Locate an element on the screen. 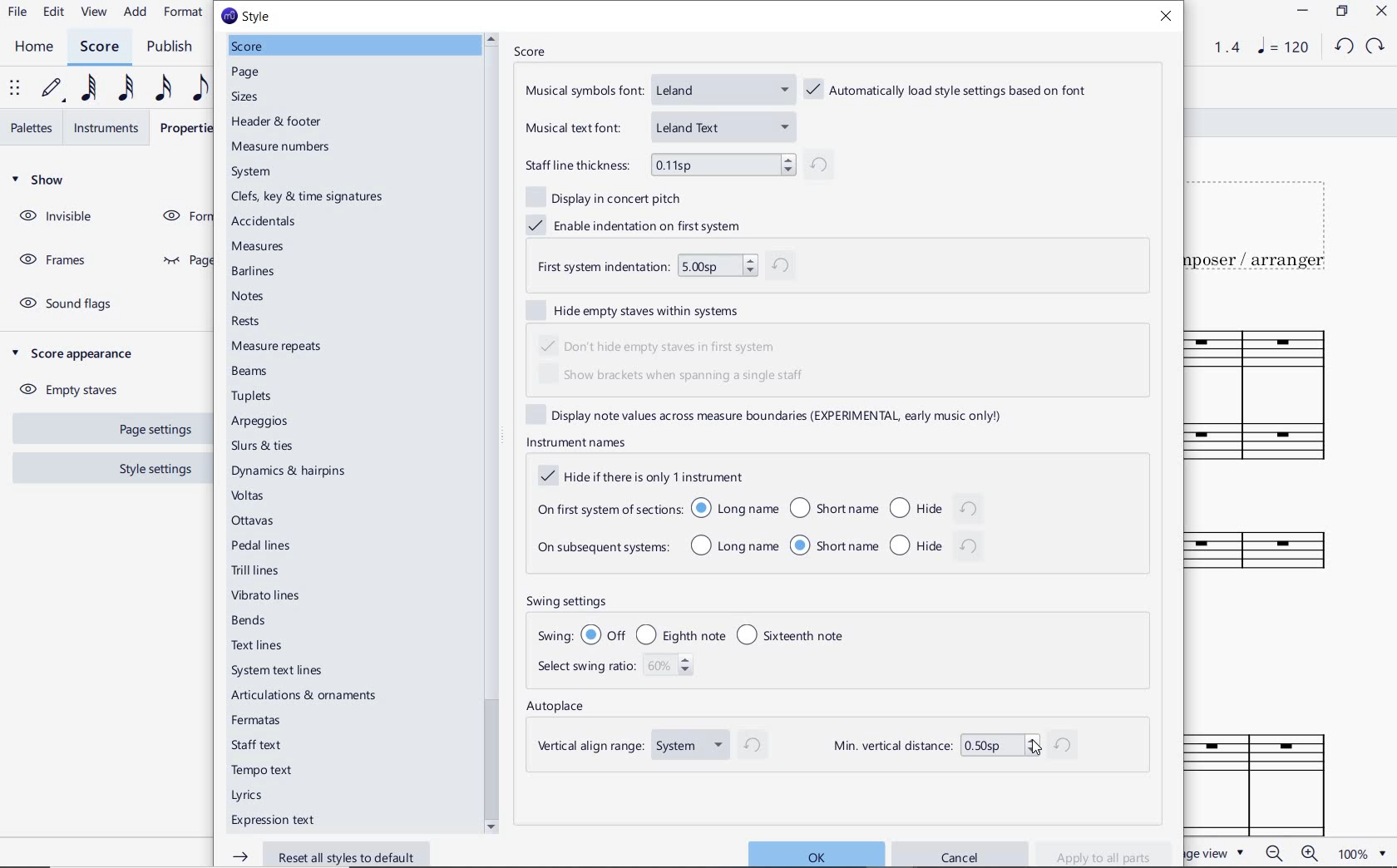 This screenshot has width=1397, height=868. sizes is located at coordinates (242, 98).